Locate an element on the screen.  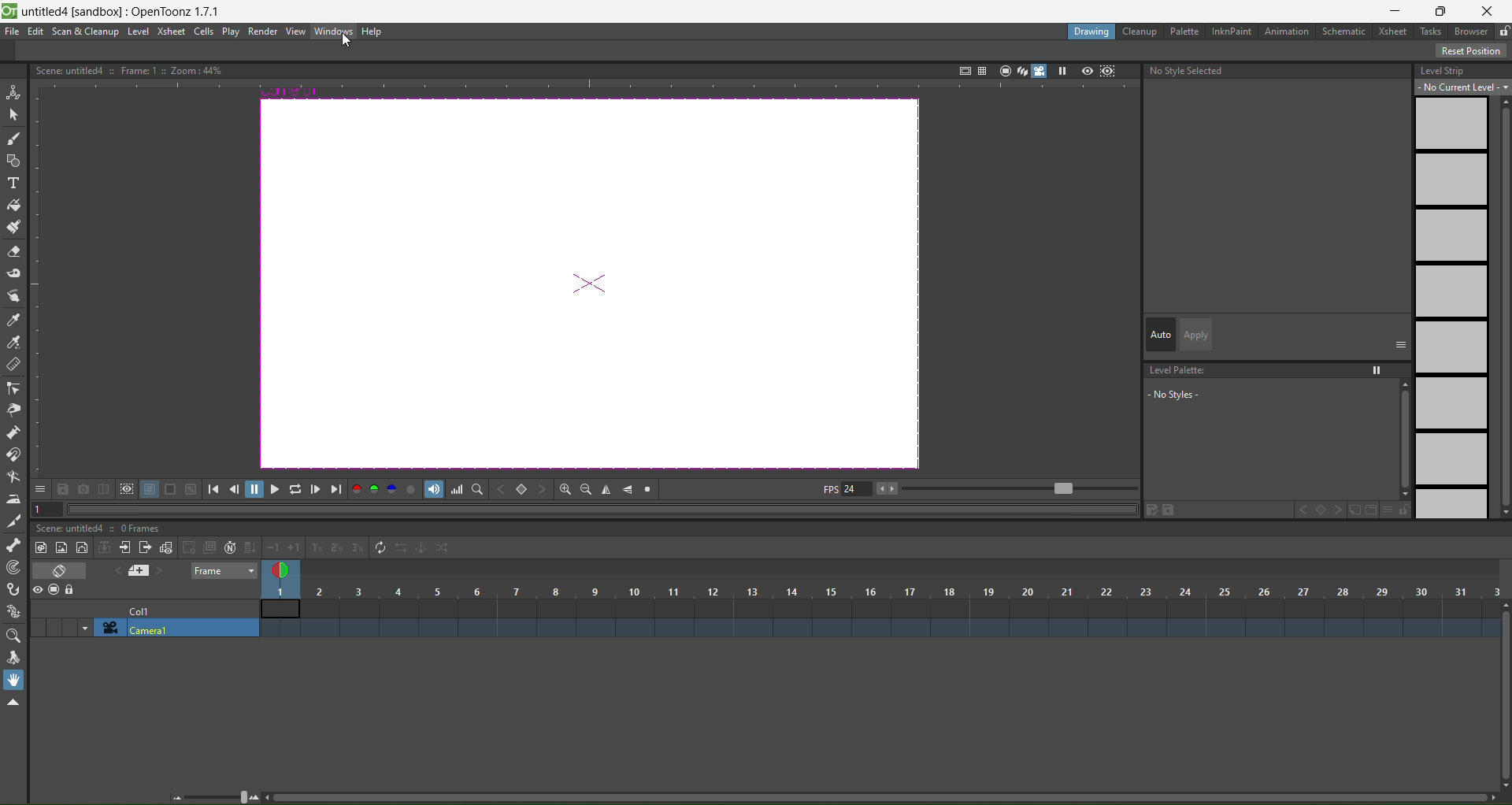
text is located at coordinates (1189, 71).